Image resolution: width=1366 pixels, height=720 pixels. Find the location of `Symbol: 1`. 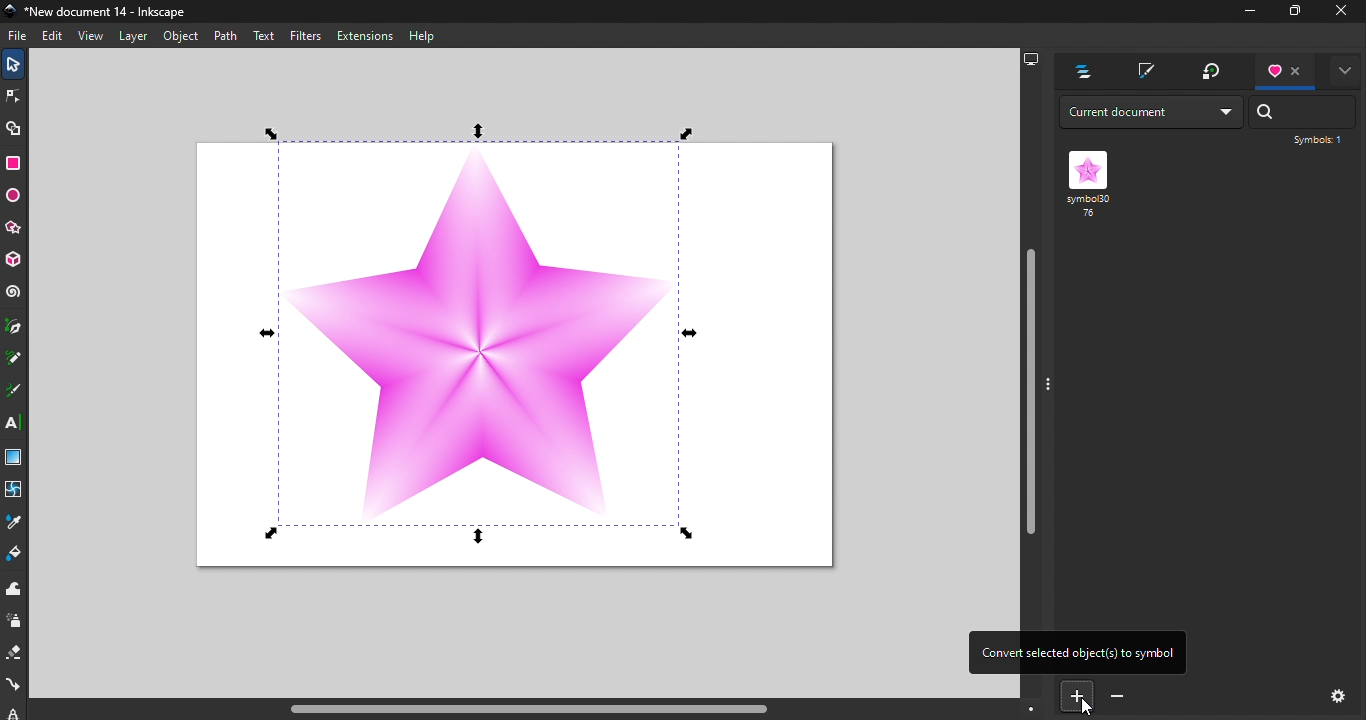

Symbol: 1 is located at coordinates (1306, 142).